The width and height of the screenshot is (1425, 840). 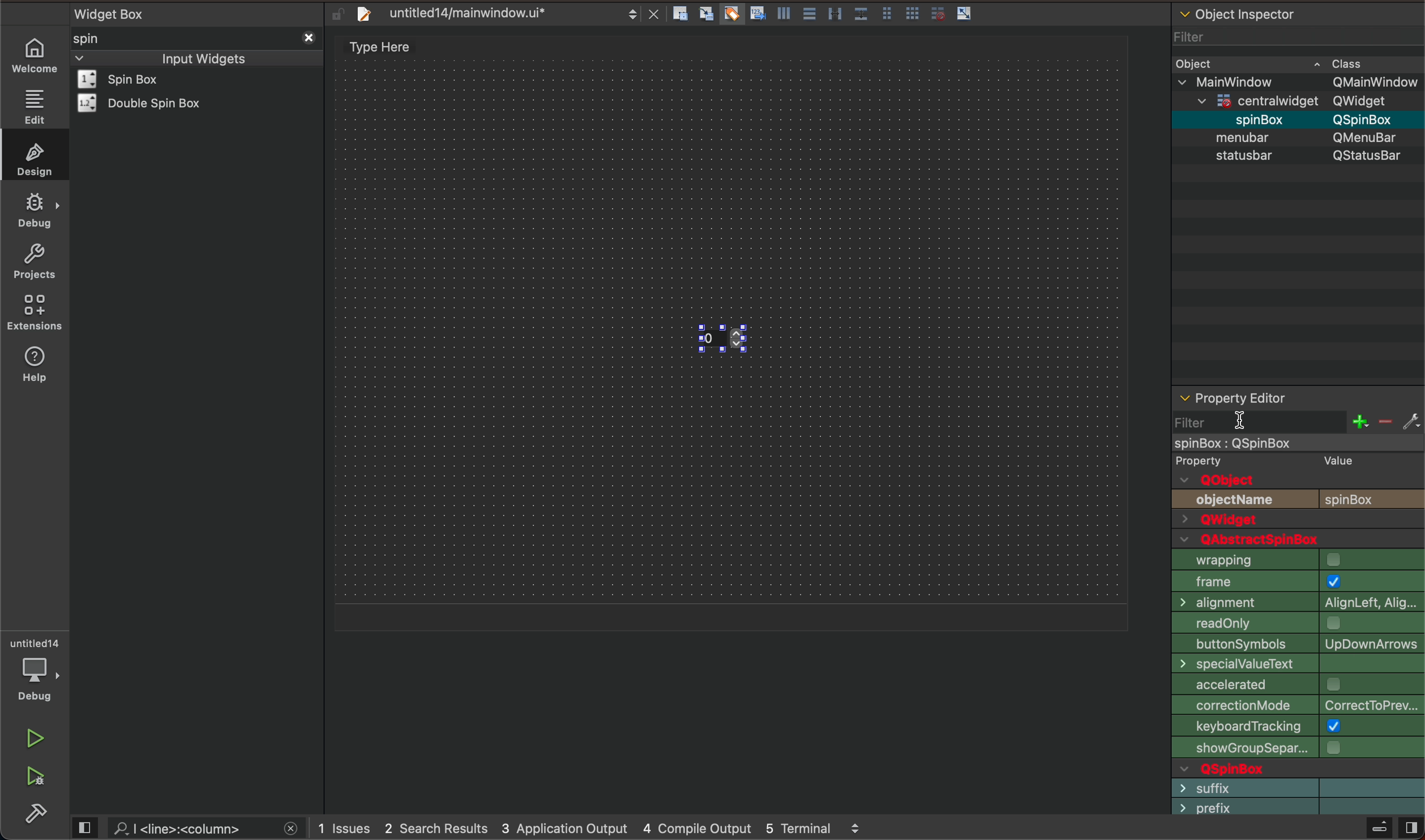 What do you see at coordinates (1294, 558) in the screenshot?
I see `icon size` at bounding box center [1294, 558].